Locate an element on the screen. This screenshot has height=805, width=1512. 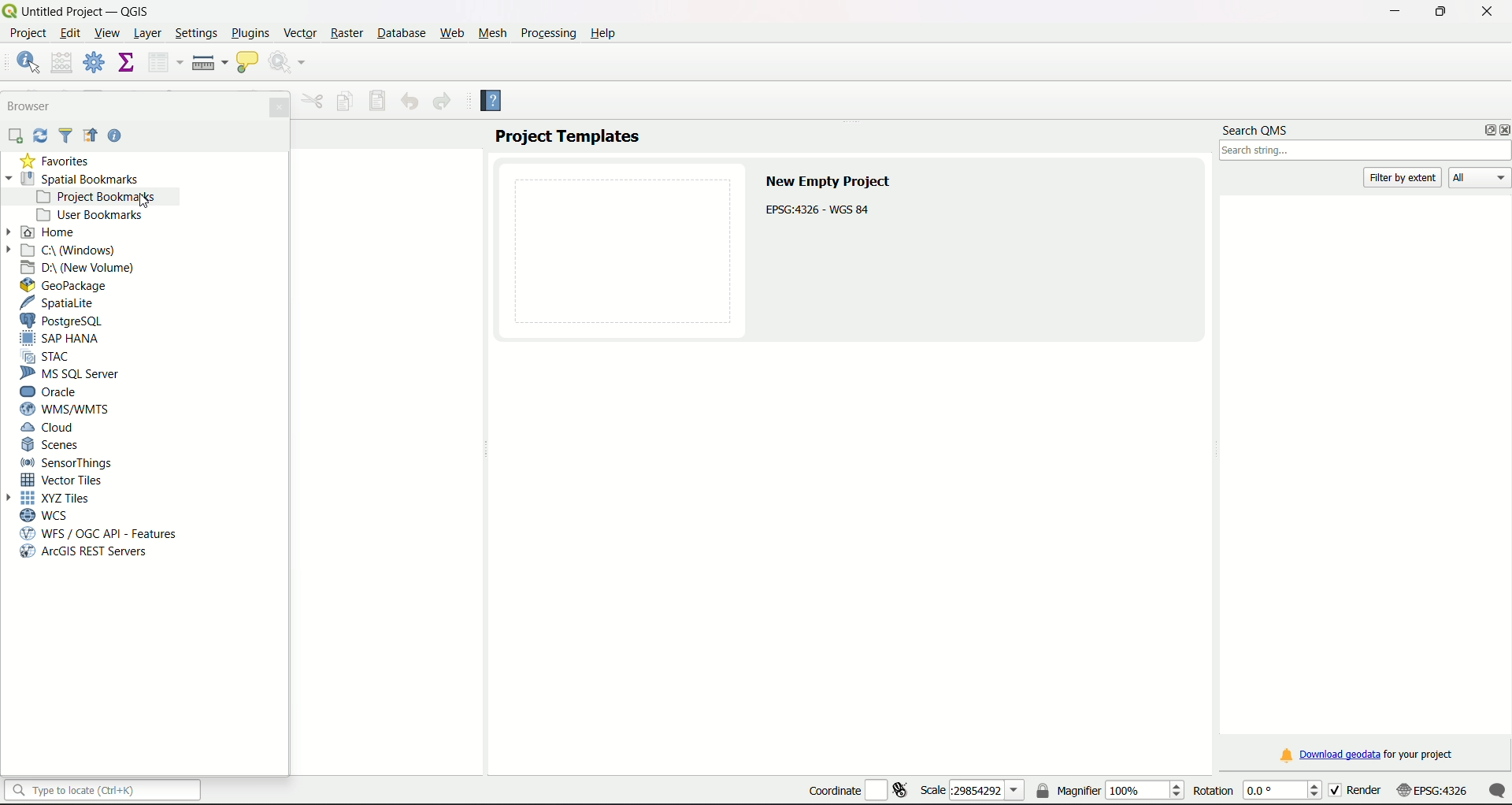
show statistical summary is located at coordinates (124, 63).